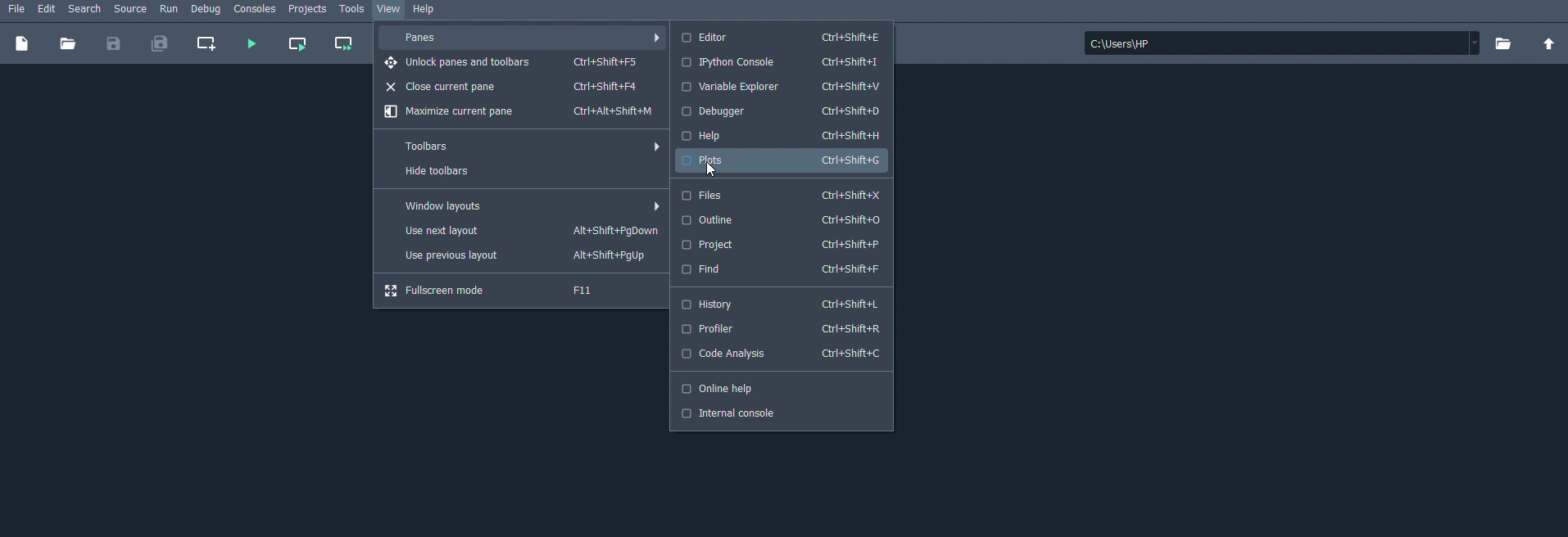  Describe the element at coordinates (23, 43) in the screenshot. I see `New file` at that location.